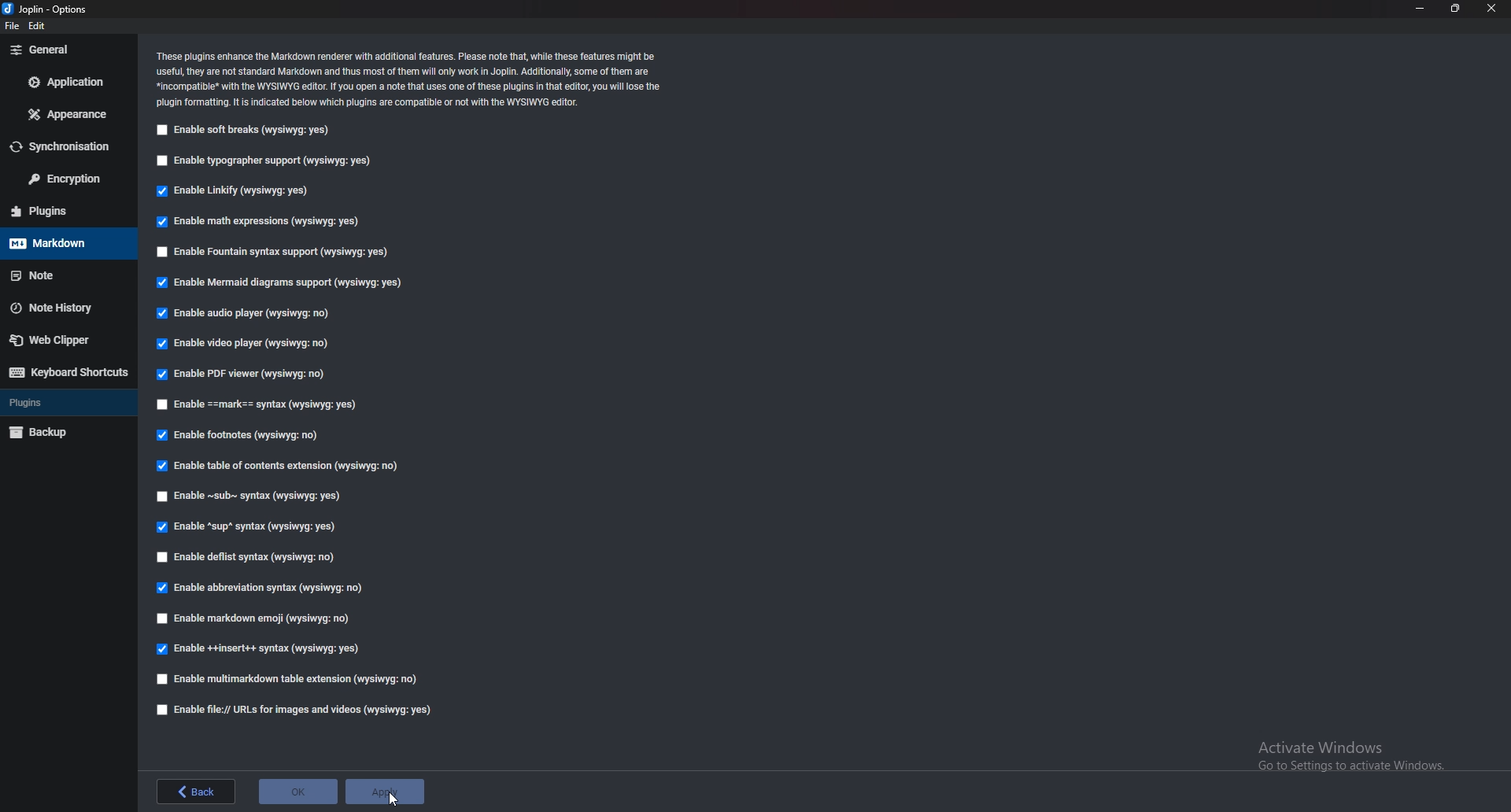 The width and height of the screenshot is (1511, 812). Describe the element at coordinates (65, 402) in the screenshot. I see `Plugins` at that location.